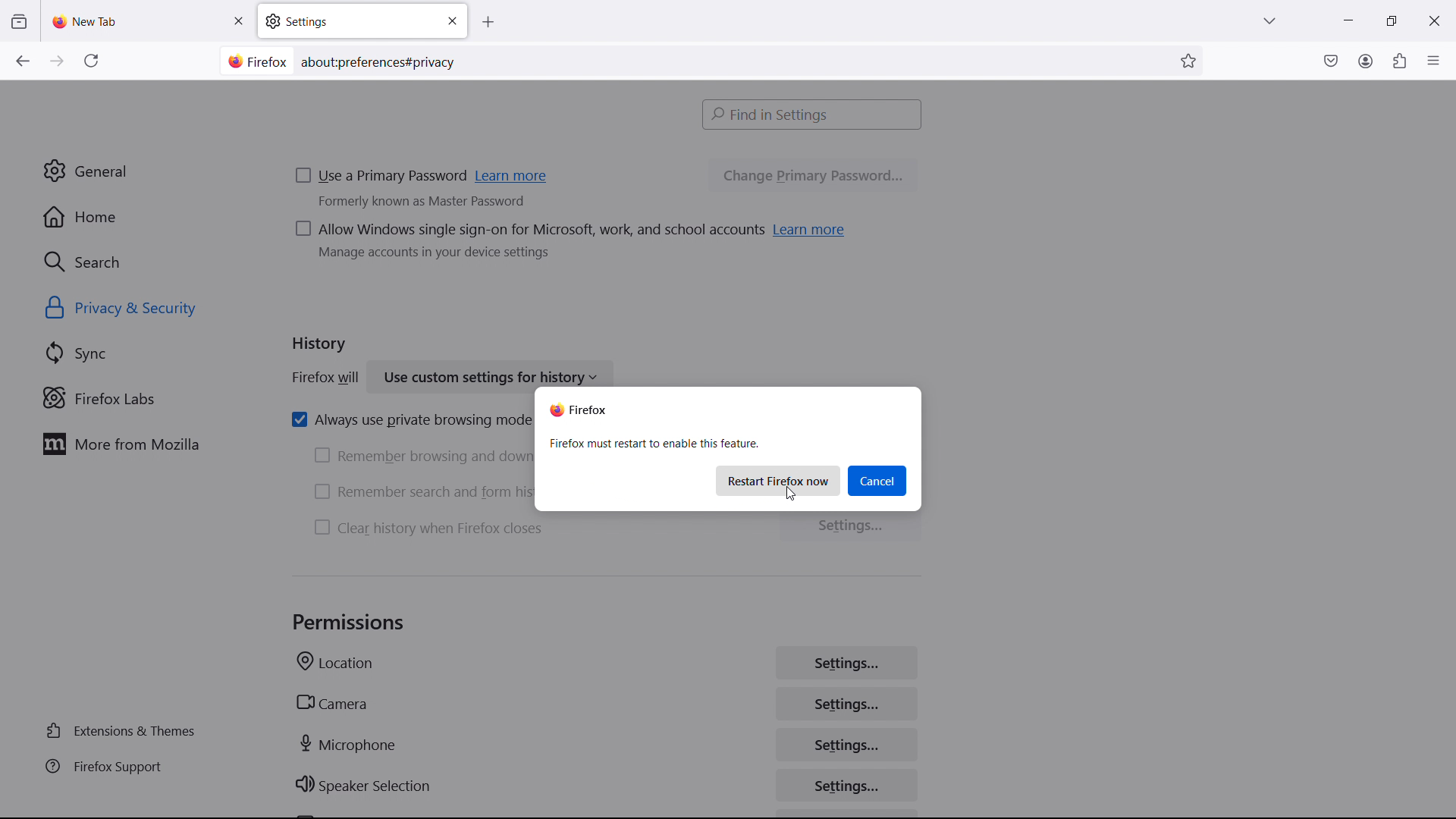 Image resolution: width=1456 pixels, height=819 pixels. What do you see at coordinates (1433, 18) in the screenshot?
I see `close` at bounding box center [1433, 18].